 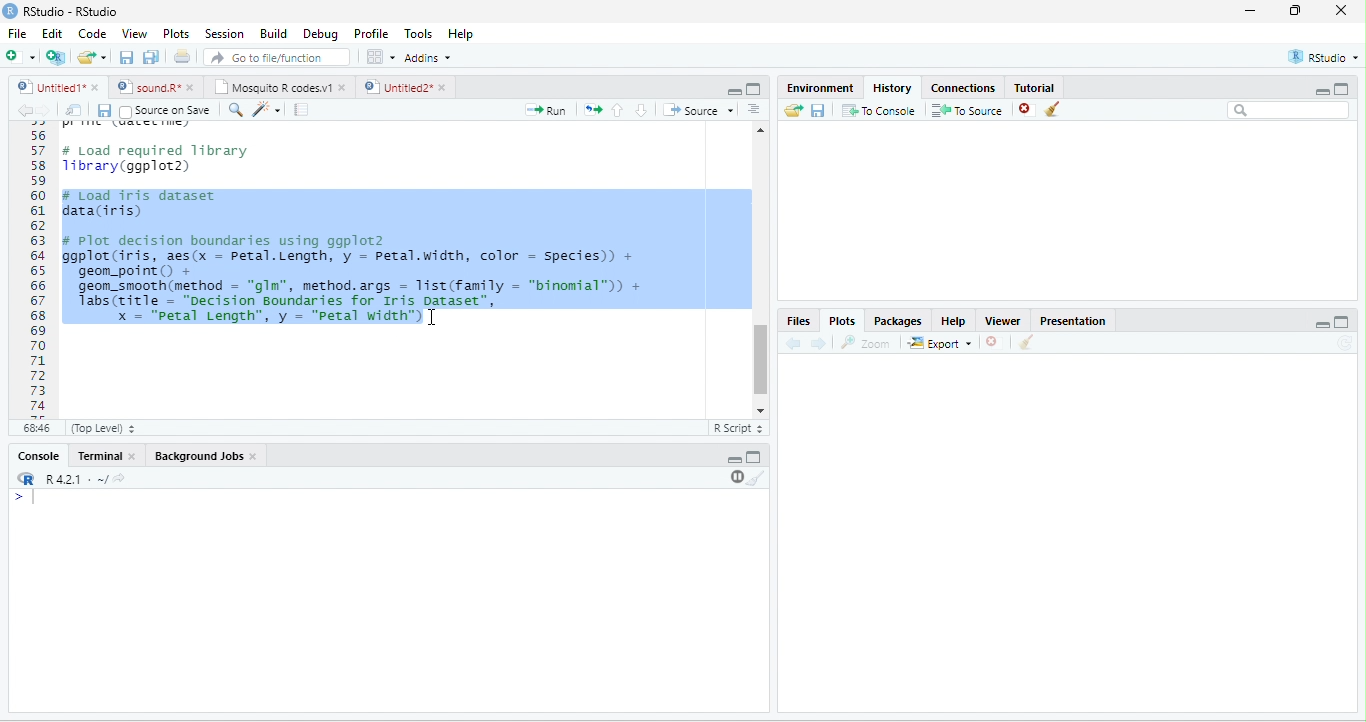 What do you see at coordinates (97, 455) in the screenshot?
I see `Terminal` at bounding box center [97, 455].